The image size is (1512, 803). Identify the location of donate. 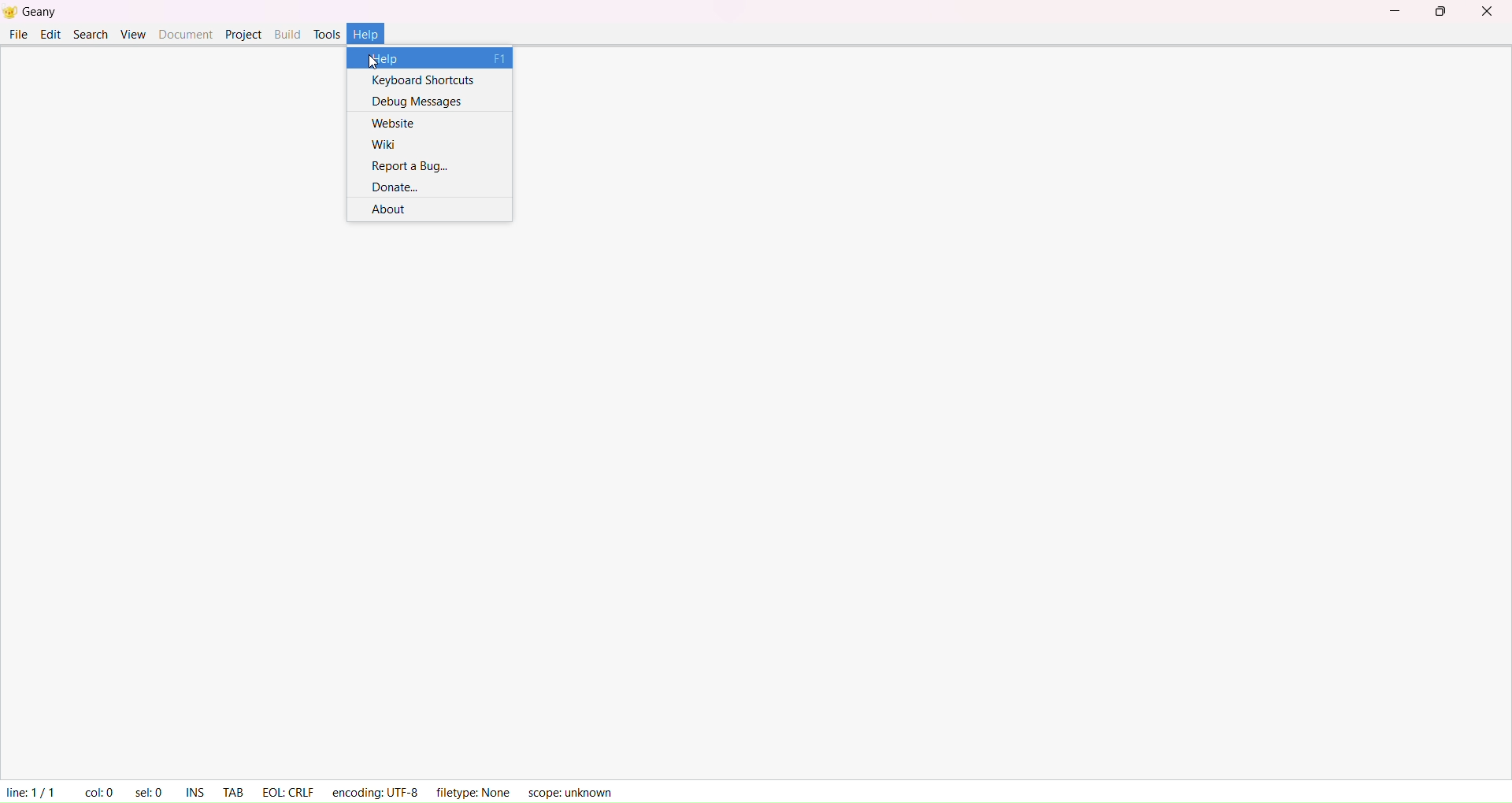
(396, 187).